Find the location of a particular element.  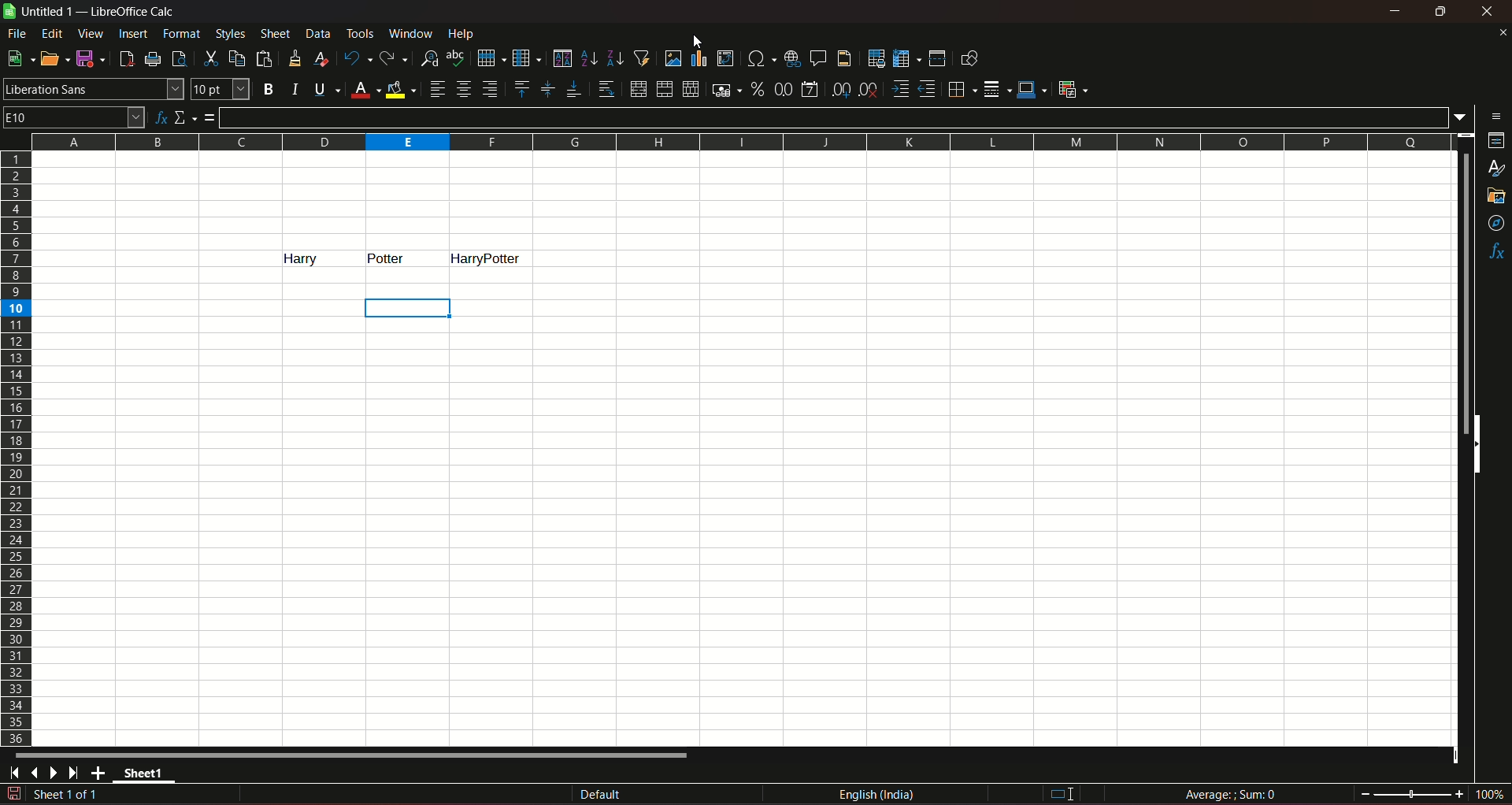

add decimal place is located at coordinates (838, 90).